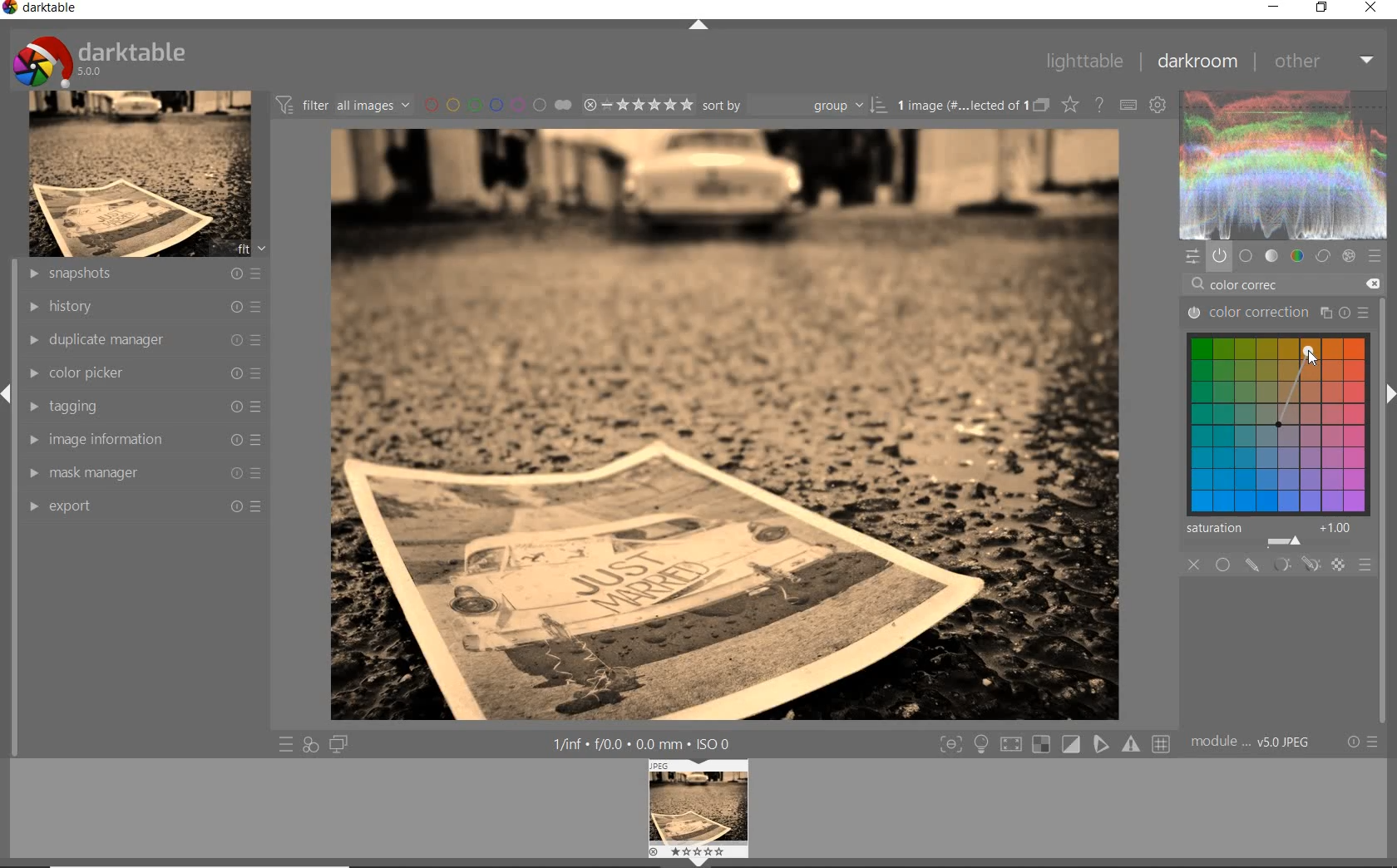 This screenshot has width=1397, height=868. Describe the element at coordinates (1293, 565) in the screenshot. I see `masking options` at that location.